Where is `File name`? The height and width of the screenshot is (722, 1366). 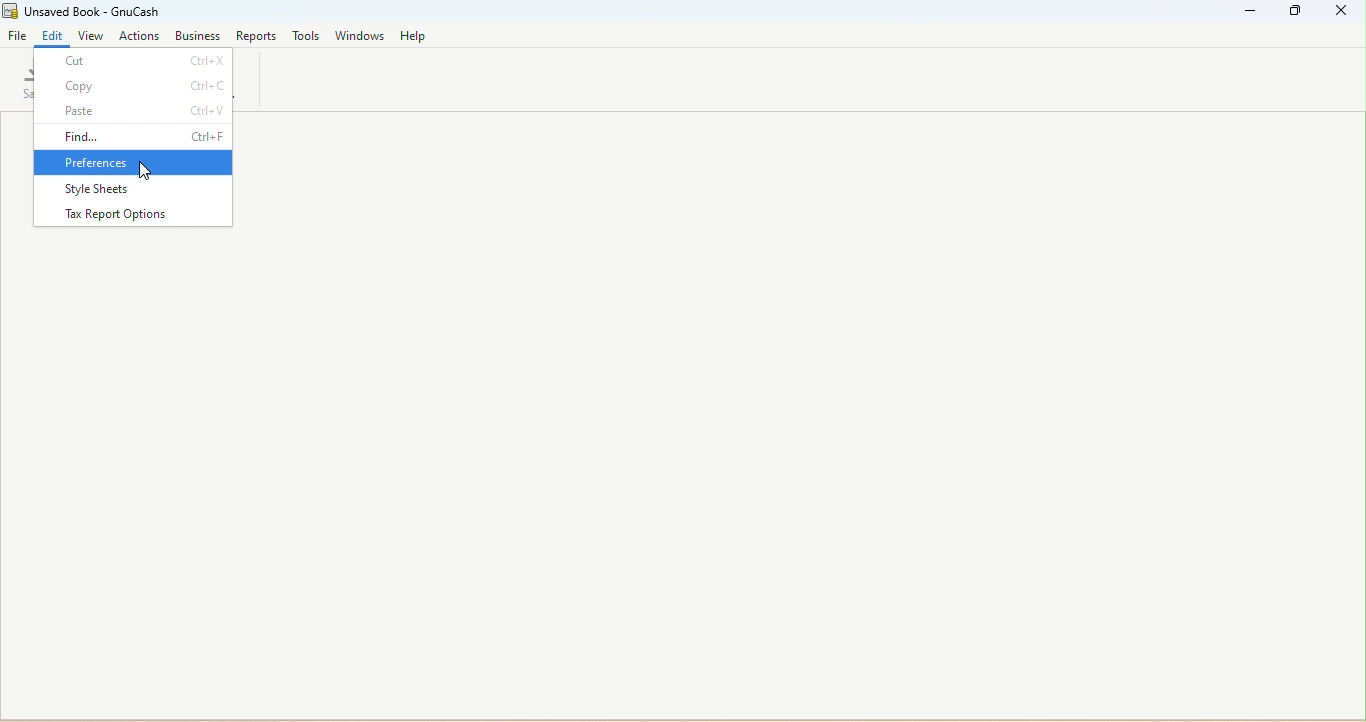
File name is located at coordinates (102, 12).